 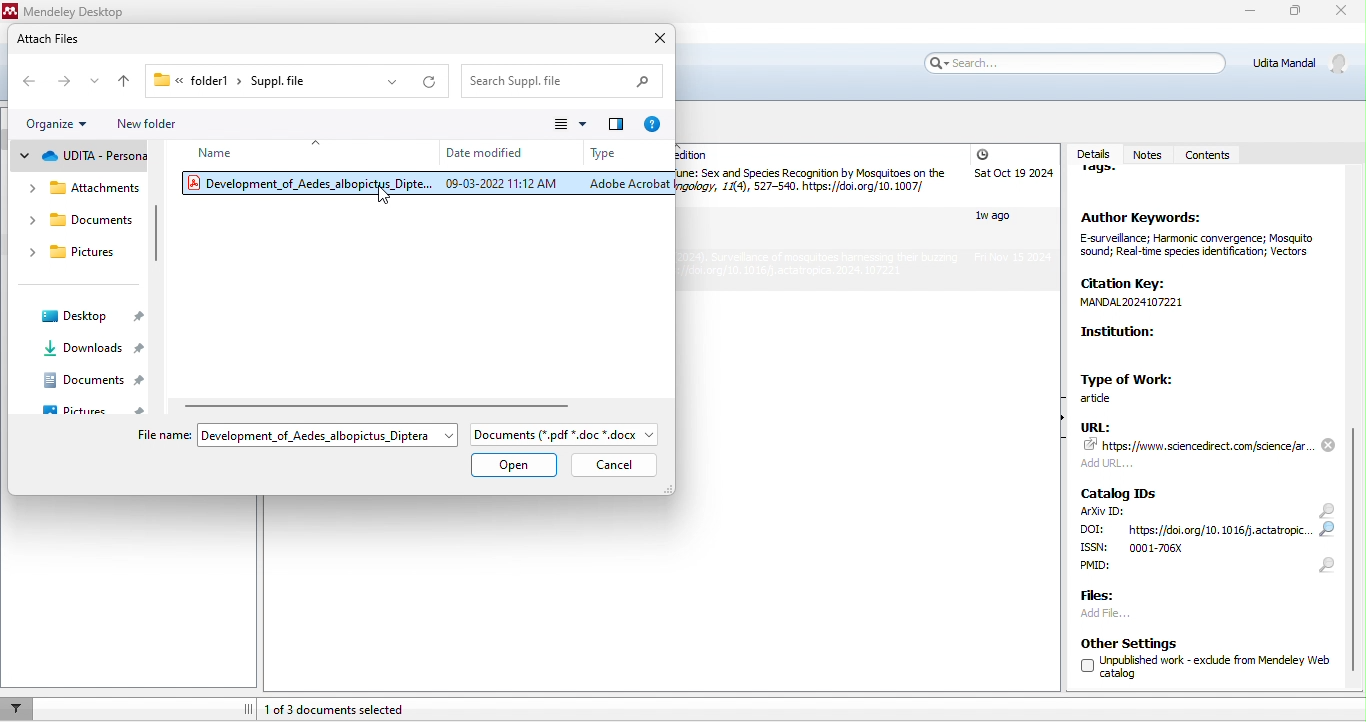 I want to click on upto previous, so click(x=129, y=83).